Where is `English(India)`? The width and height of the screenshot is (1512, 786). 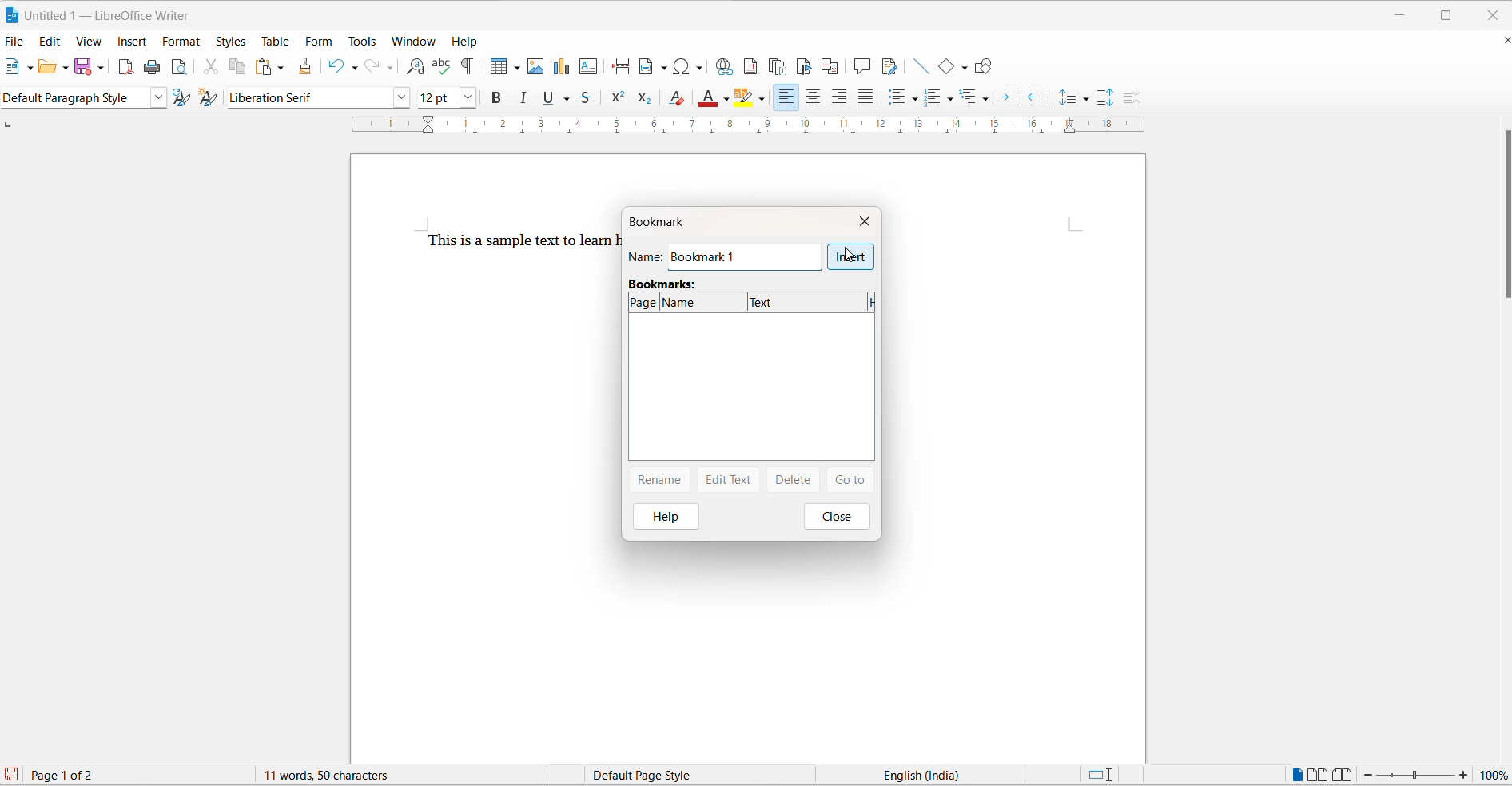 English(India) is located at coordinates (930, 775).